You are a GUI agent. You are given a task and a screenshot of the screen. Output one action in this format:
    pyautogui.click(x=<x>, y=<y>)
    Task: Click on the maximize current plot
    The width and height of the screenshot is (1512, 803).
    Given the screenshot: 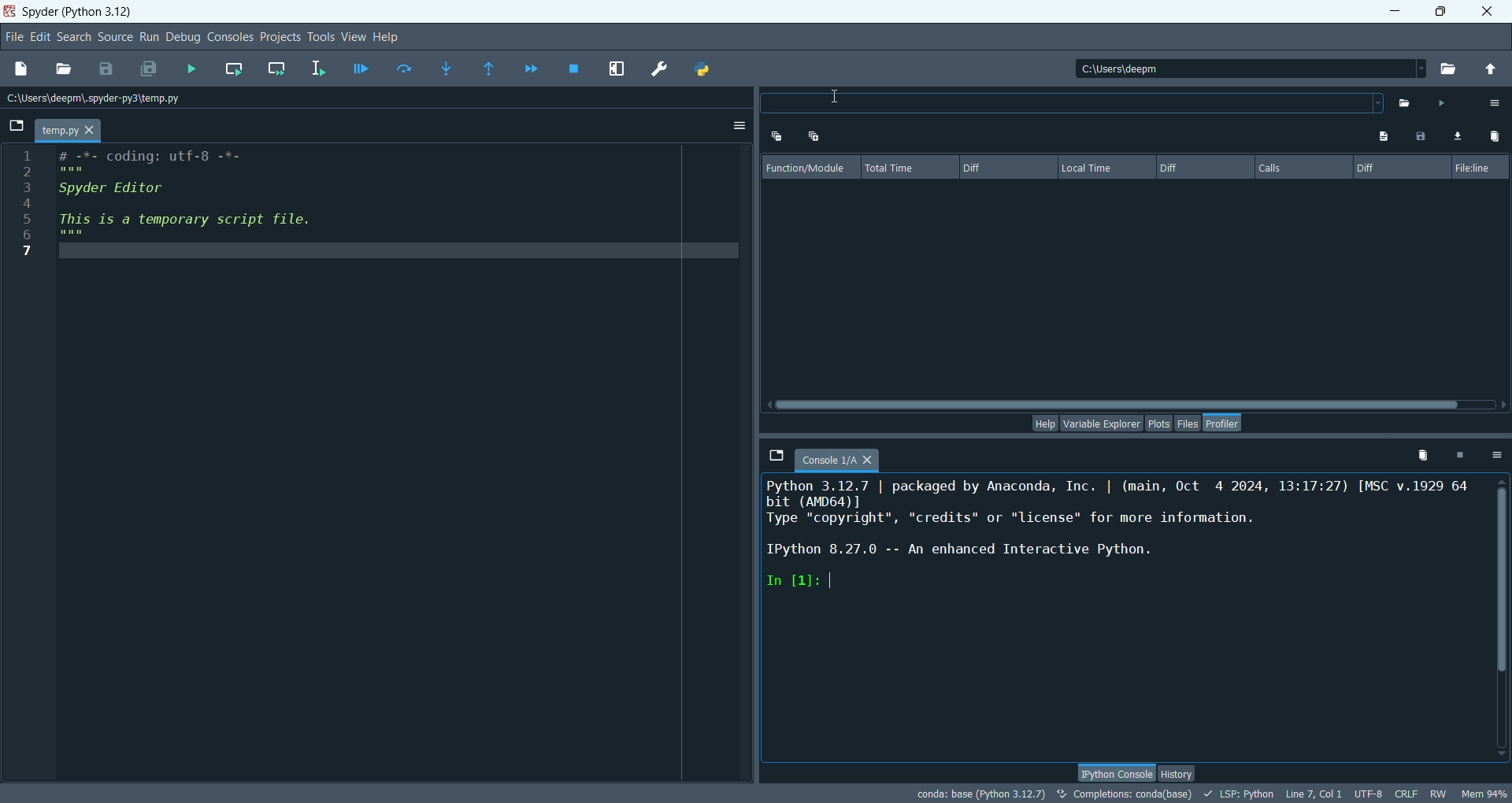 What is the action you would take?
    pyautogui.click(x=618, y=71)
    